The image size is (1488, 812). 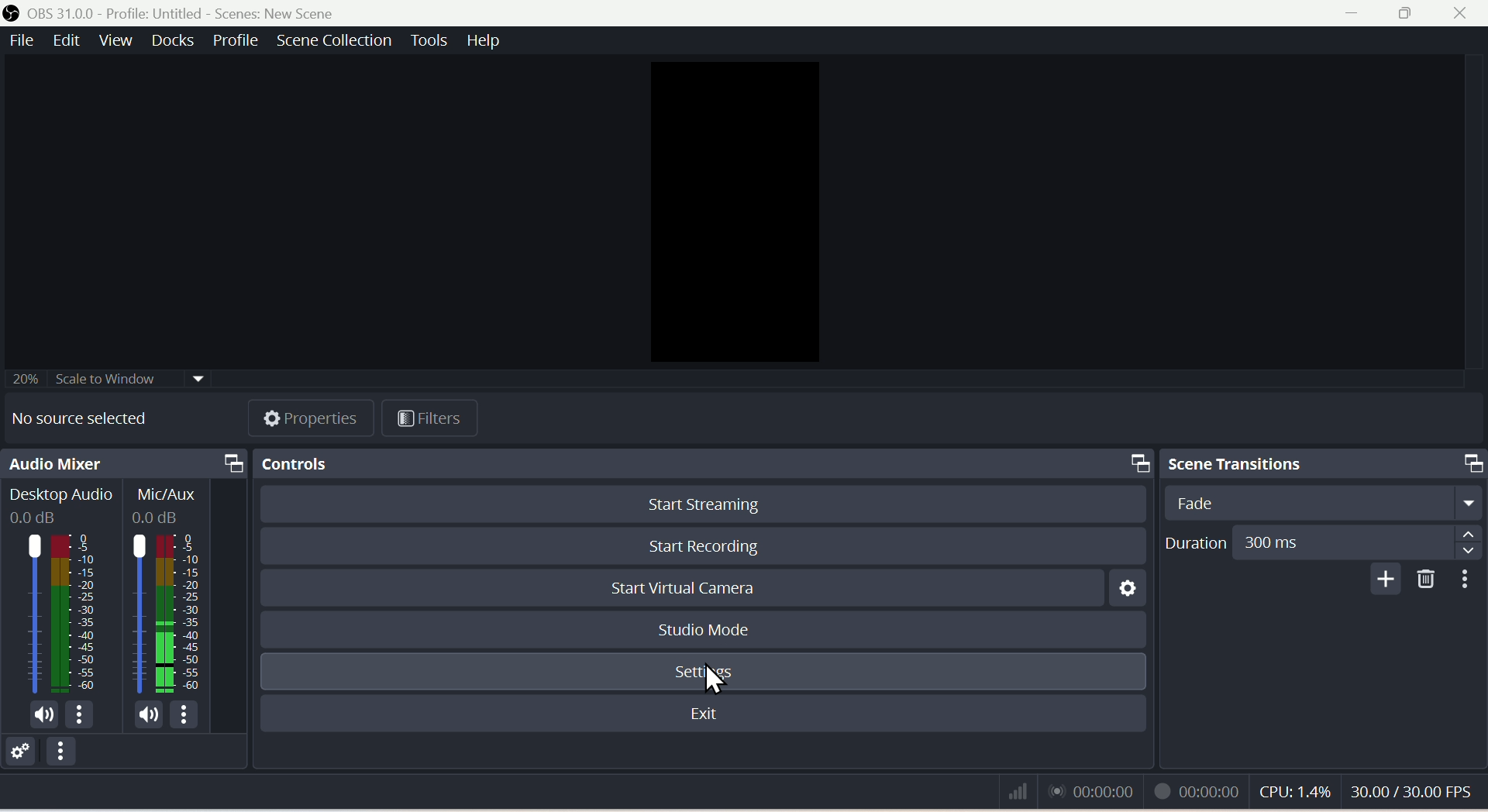 I want to click on Scene transition, so click(x=1324, y=462).